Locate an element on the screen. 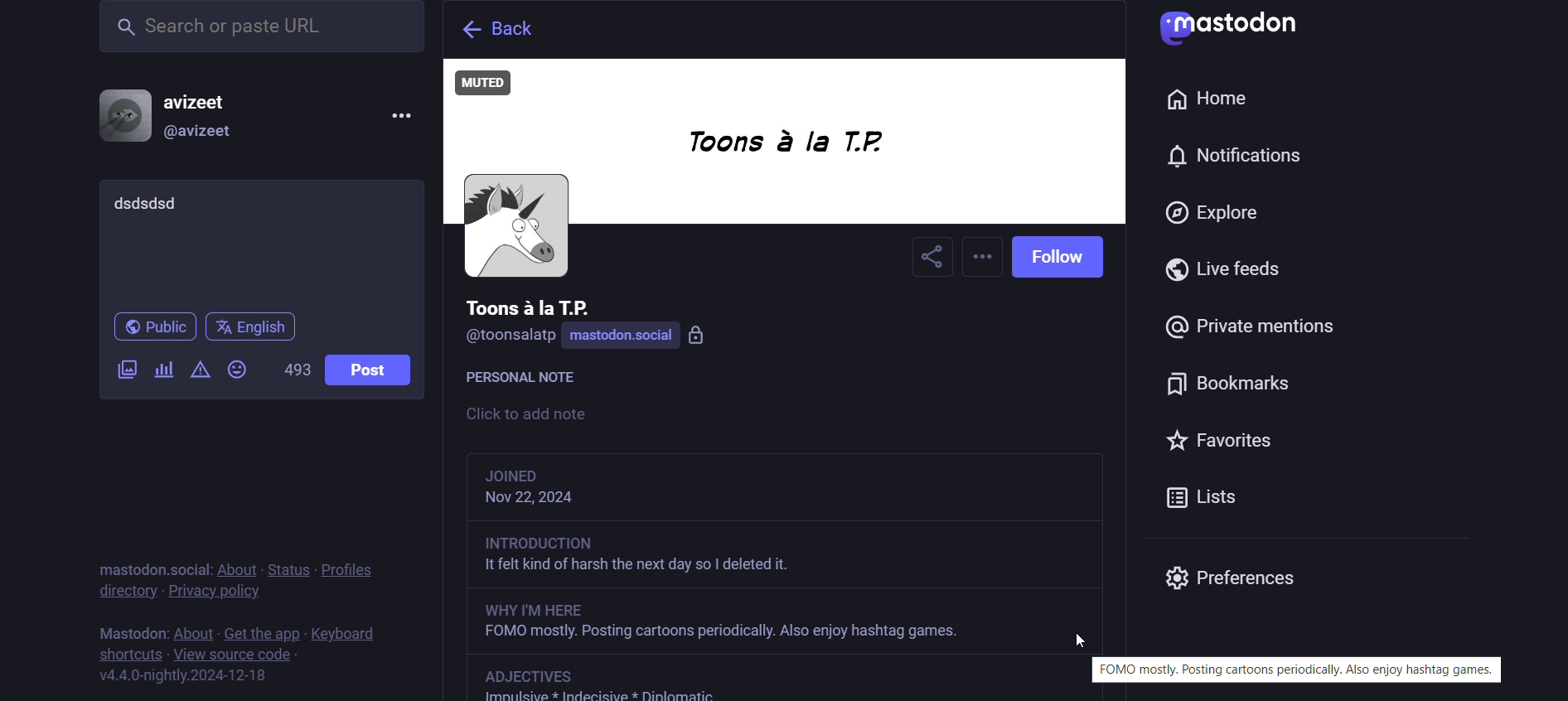 This screenshot has height=701, width=1568. public is located at coordinates (149, 330).